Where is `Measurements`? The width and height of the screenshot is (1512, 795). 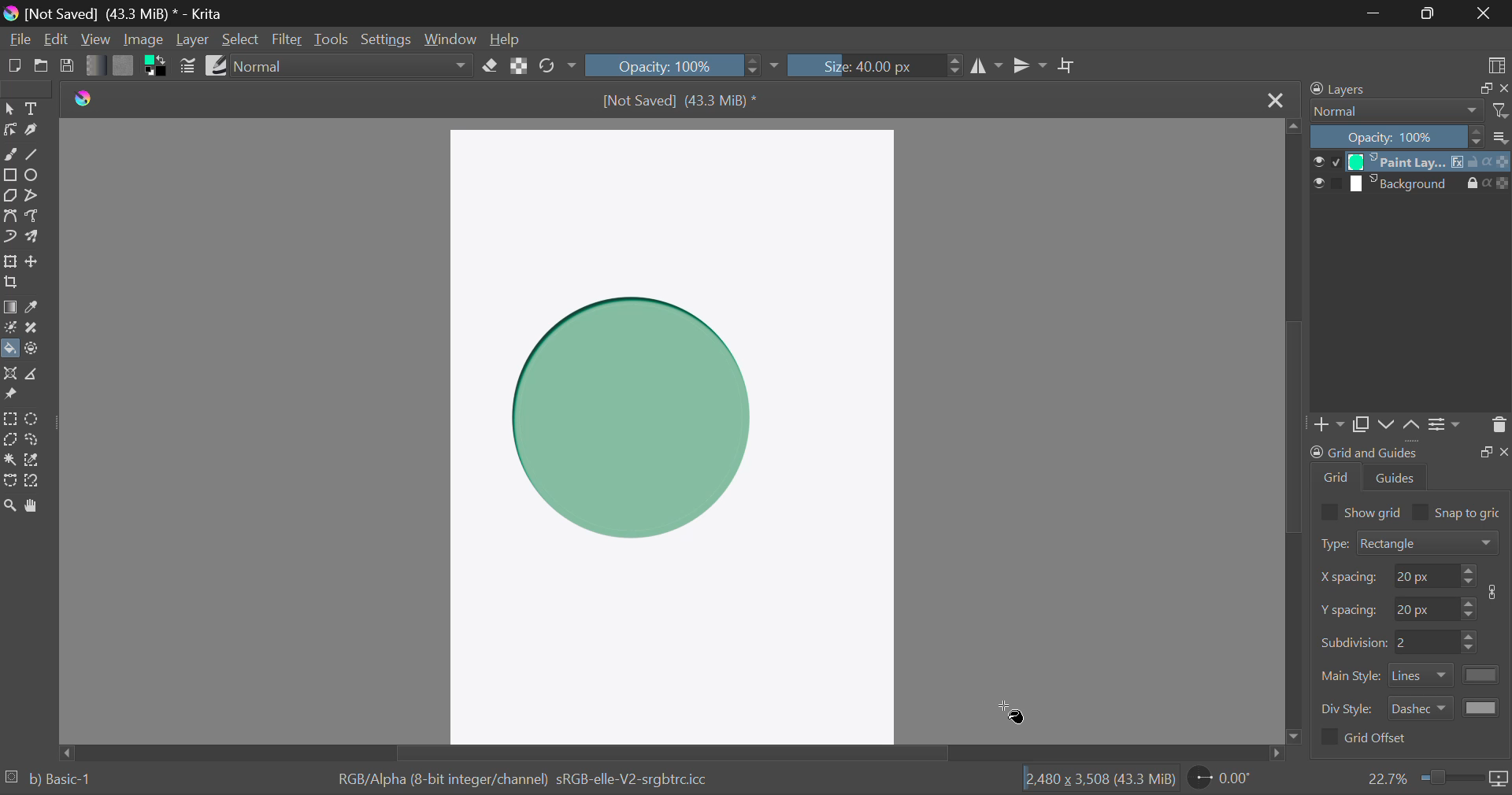 Measurements is located at coordinates (34, 373).